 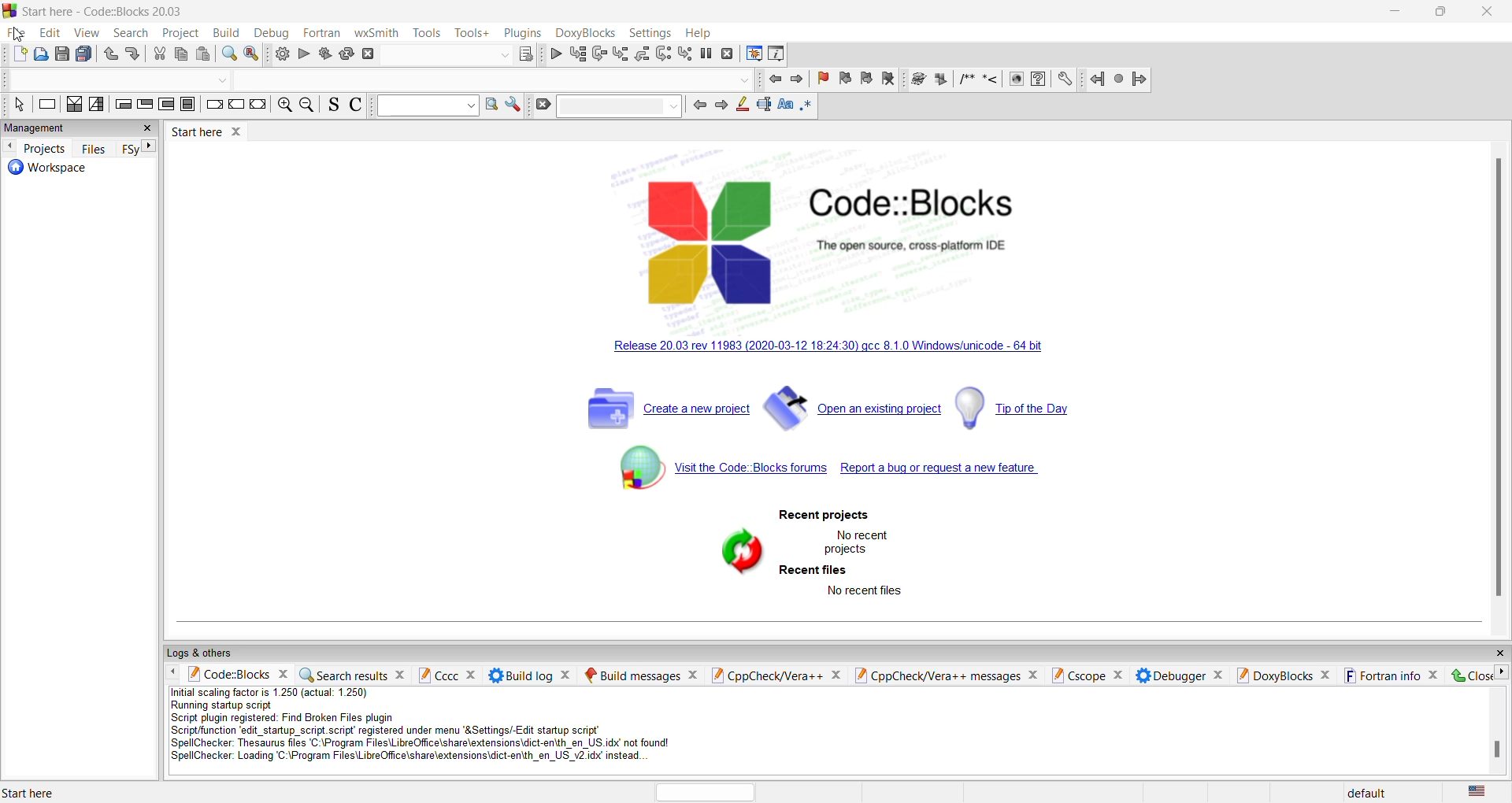 I want to click on next, so click(x=721, y=106).